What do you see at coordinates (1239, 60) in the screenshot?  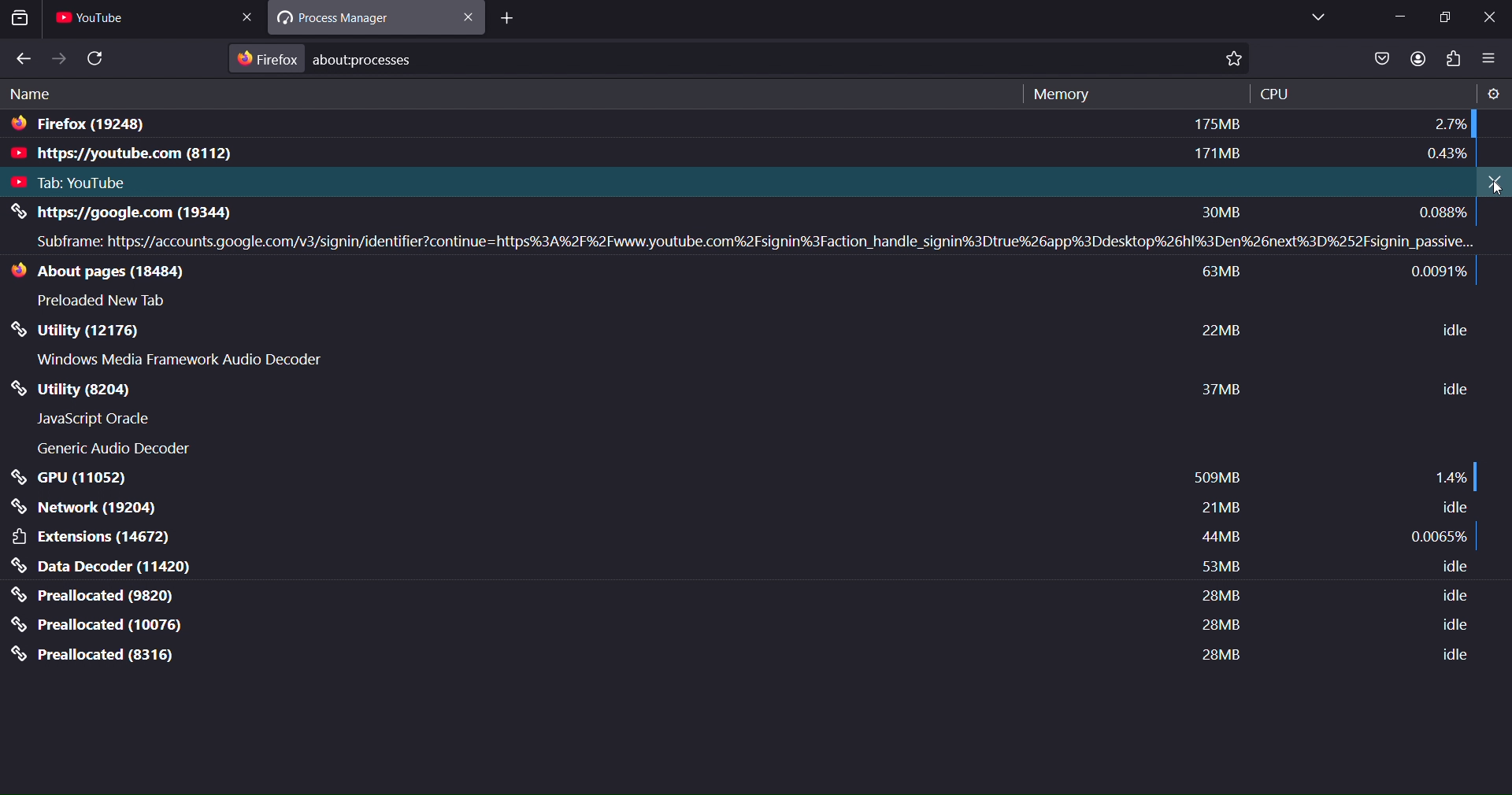 I see `bookmark page` at bounding box center [1239, 60].